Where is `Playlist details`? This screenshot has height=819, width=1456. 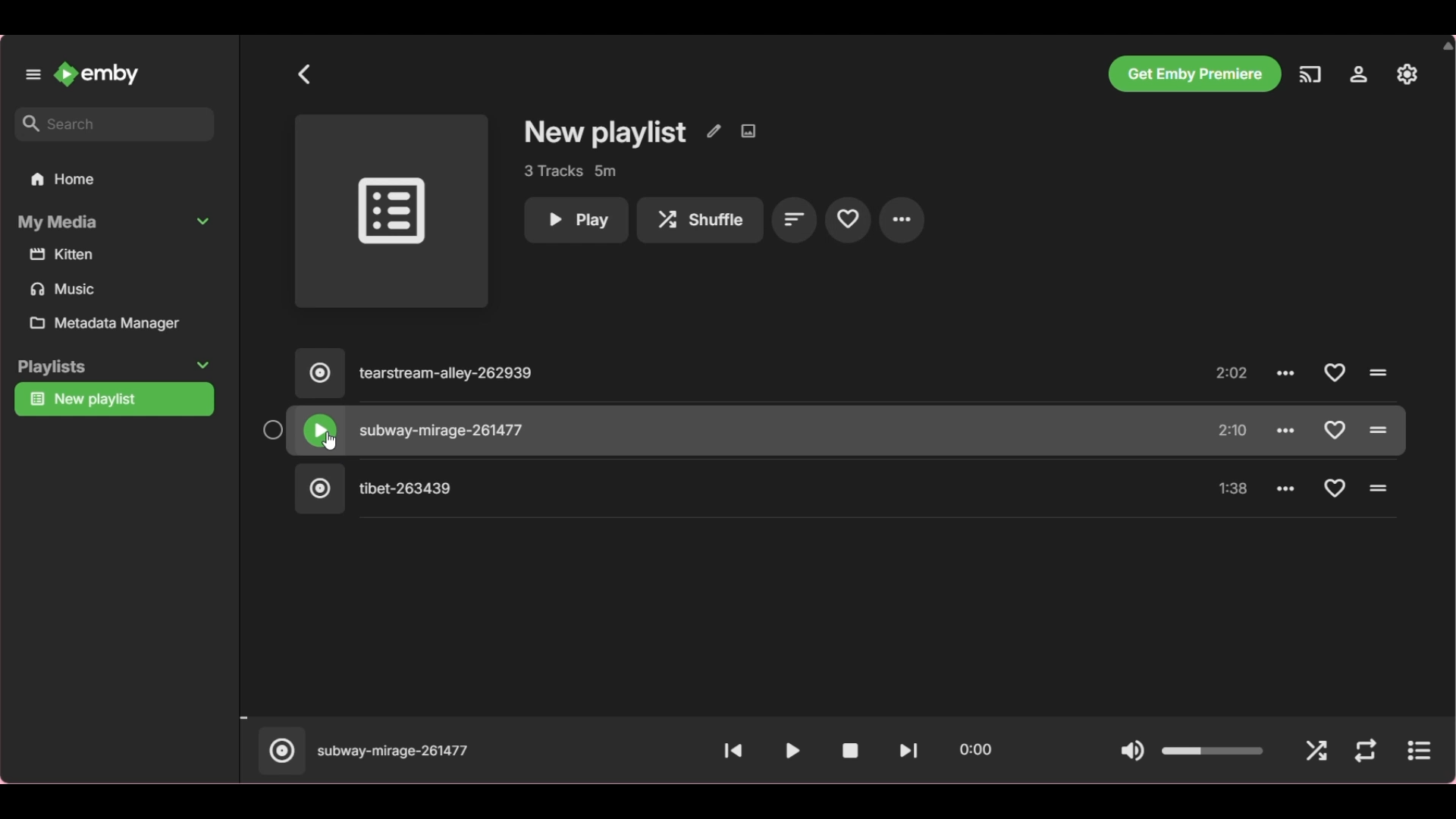 Playlist details is located at coordinates (570, 171).